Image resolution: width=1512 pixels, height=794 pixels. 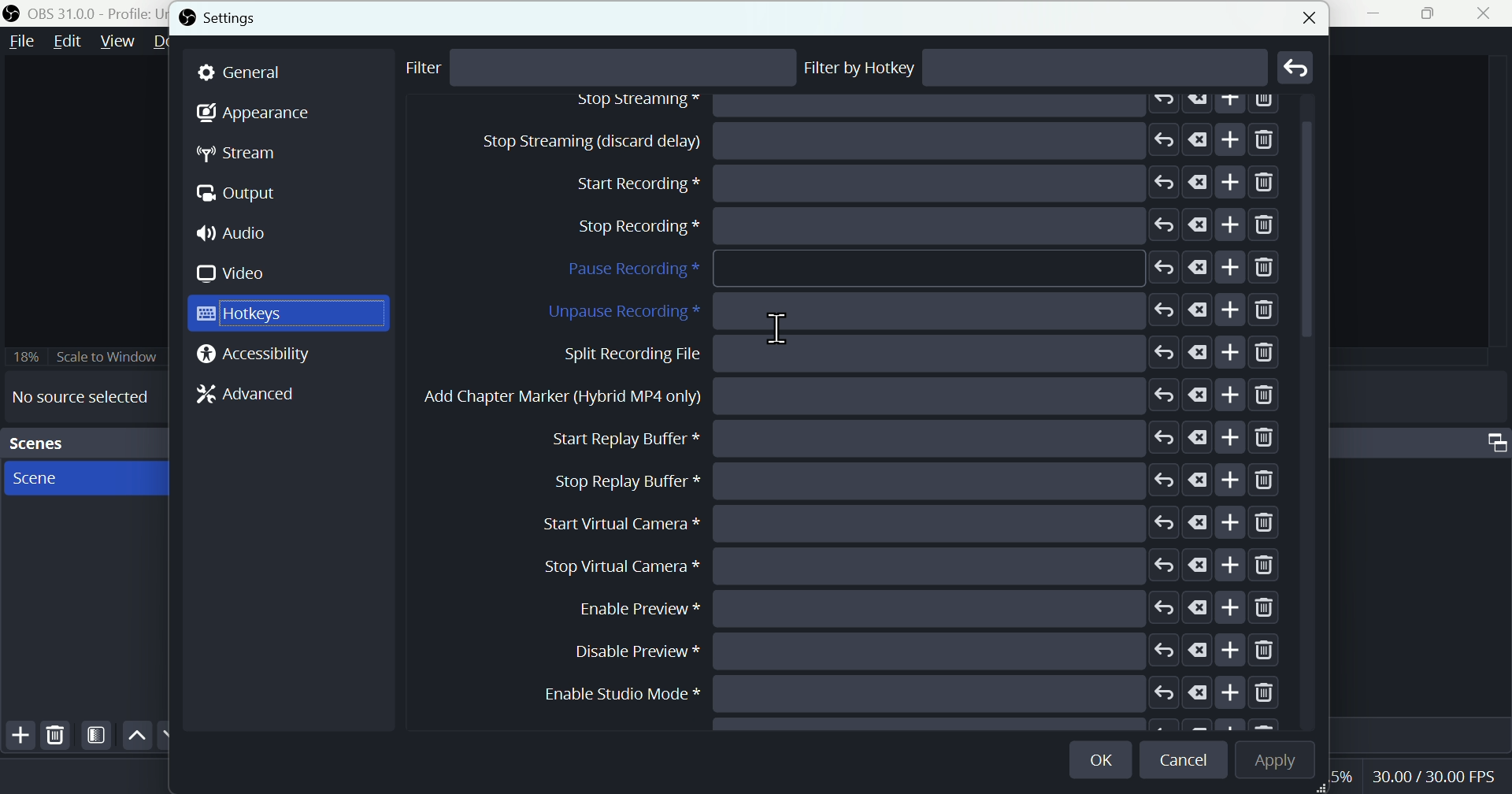 I want to click on Filter, so click(x=435, y=69).